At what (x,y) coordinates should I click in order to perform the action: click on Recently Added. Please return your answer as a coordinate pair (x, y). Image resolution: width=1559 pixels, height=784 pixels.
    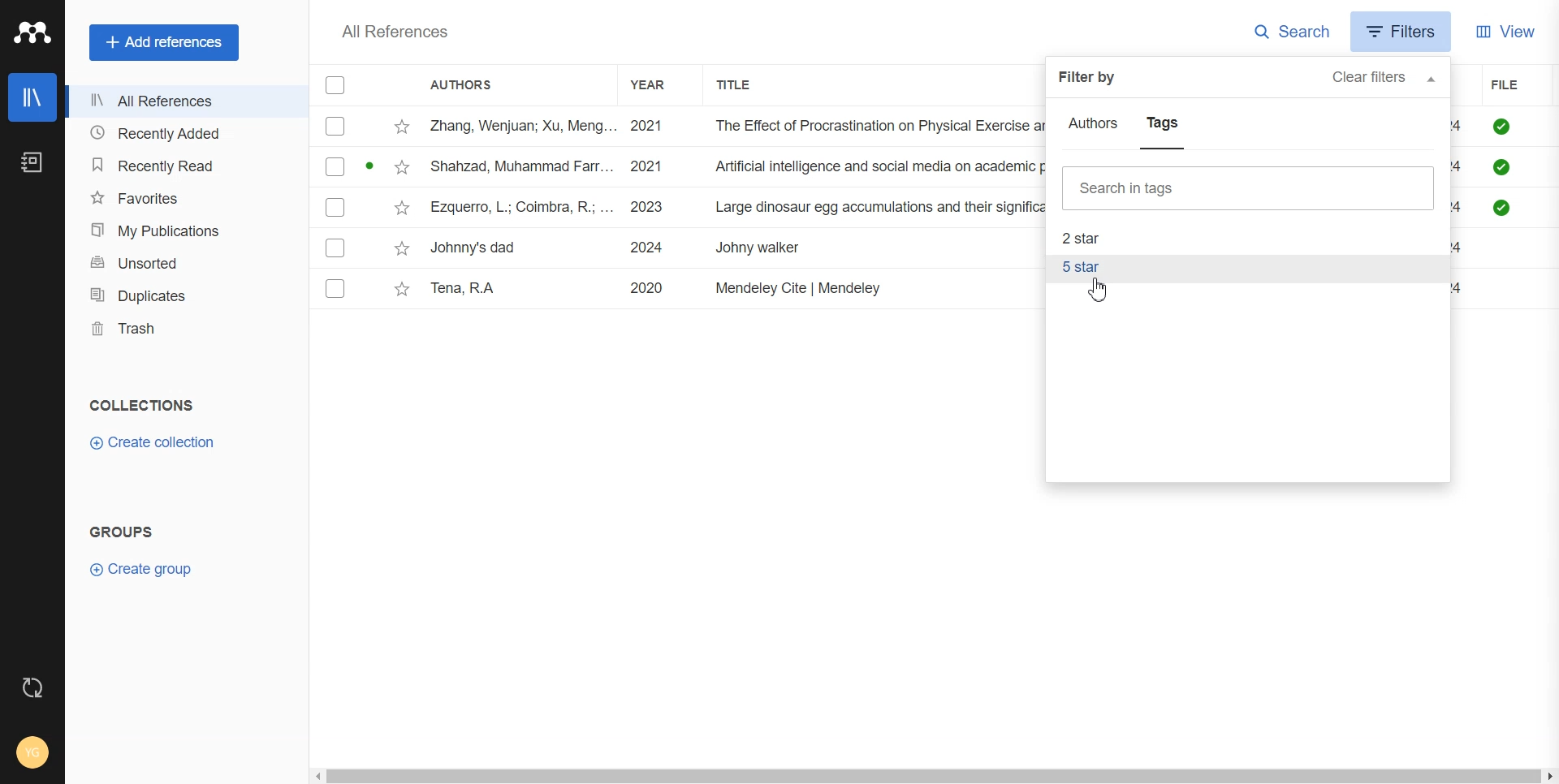
    Looking at the image, I should click on (184, 134).